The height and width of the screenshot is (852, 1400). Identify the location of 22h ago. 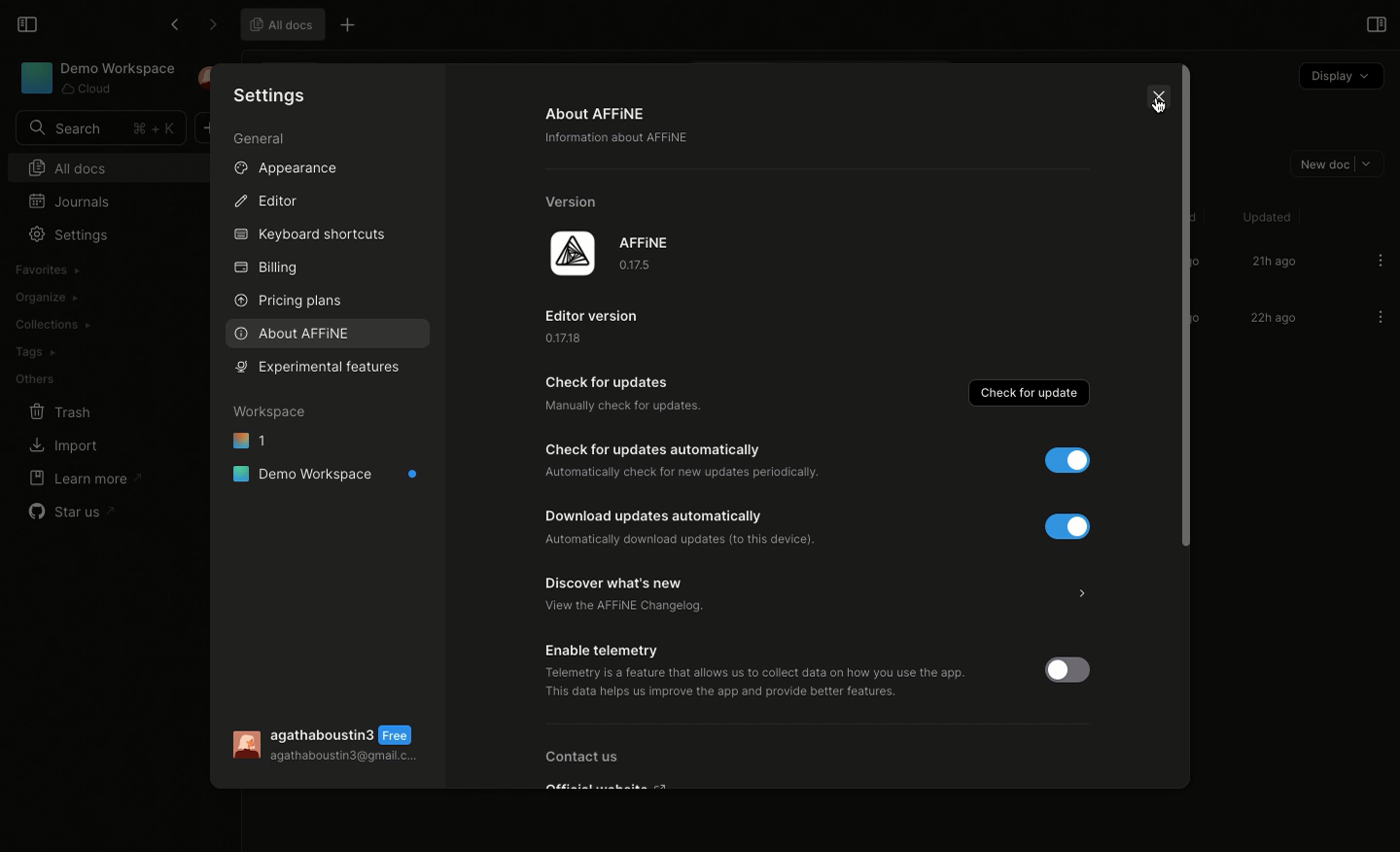
(1271, 320).